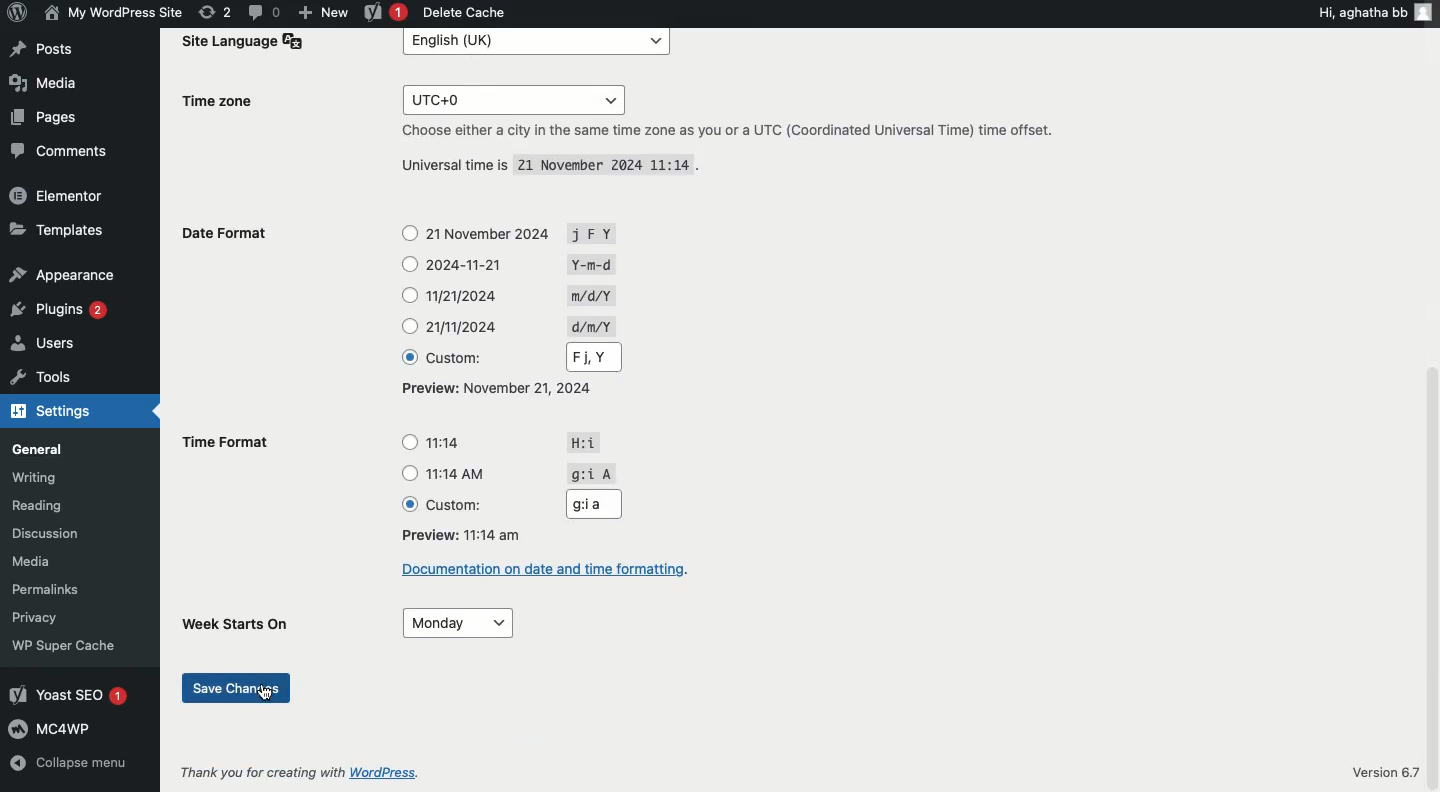  Describe the element at coordinates (35, 507) in the screenshot. I see `Reading` at that location.